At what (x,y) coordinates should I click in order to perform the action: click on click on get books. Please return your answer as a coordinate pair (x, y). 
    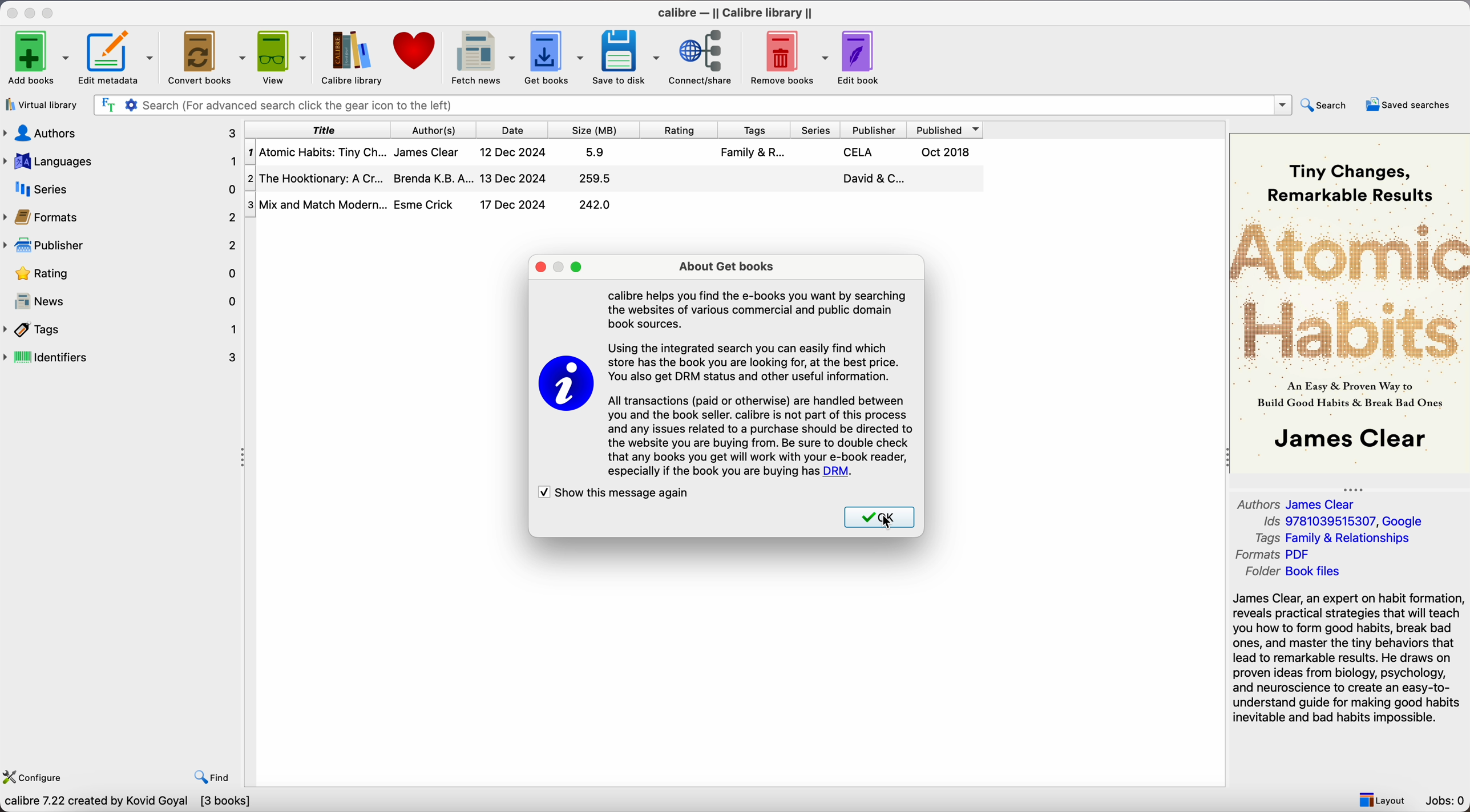
    Looking at the image, I should click on (551, 58).